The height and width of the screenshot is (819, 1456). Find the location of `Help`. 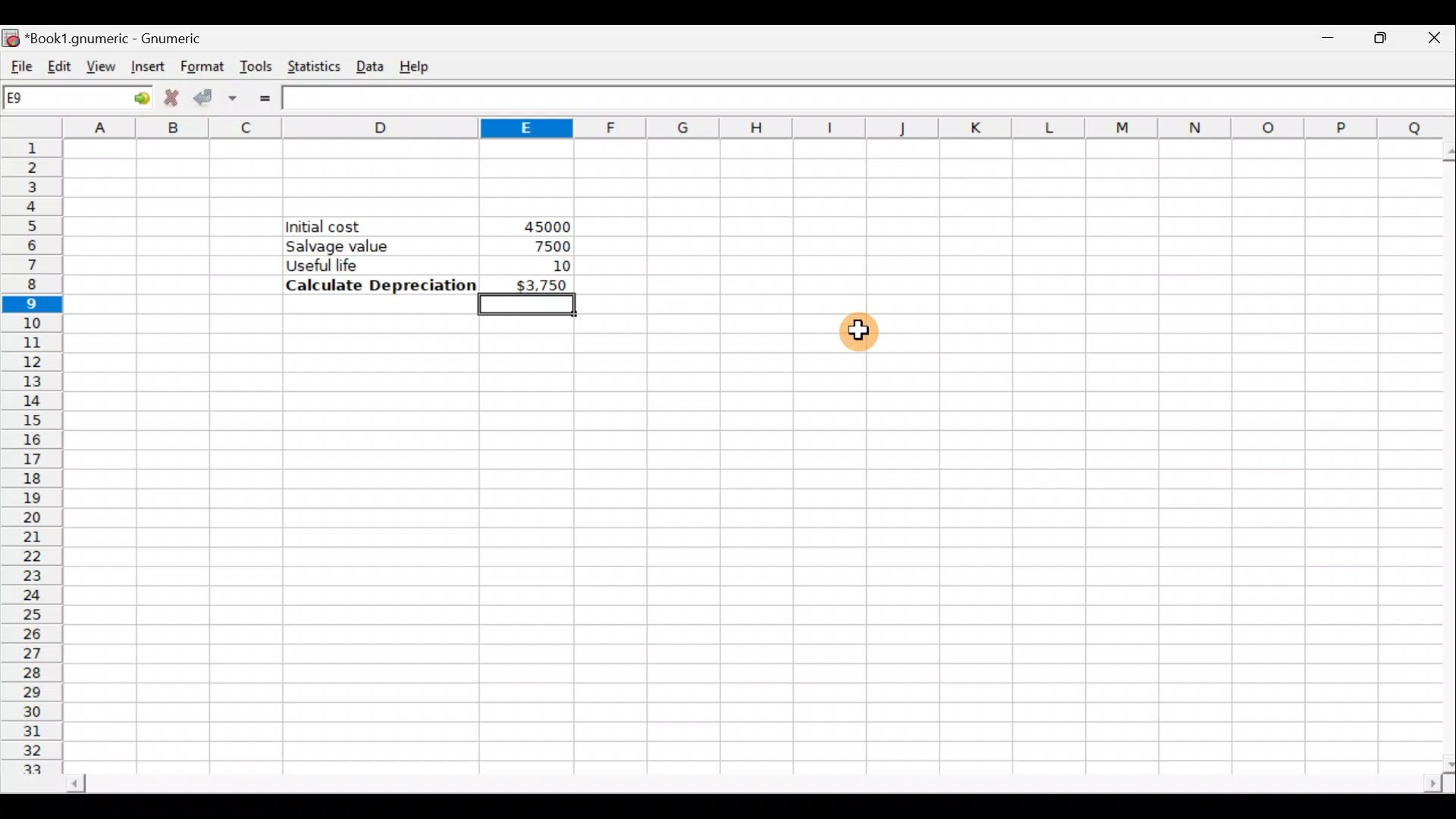

Help is located at coordinates (423, 61).